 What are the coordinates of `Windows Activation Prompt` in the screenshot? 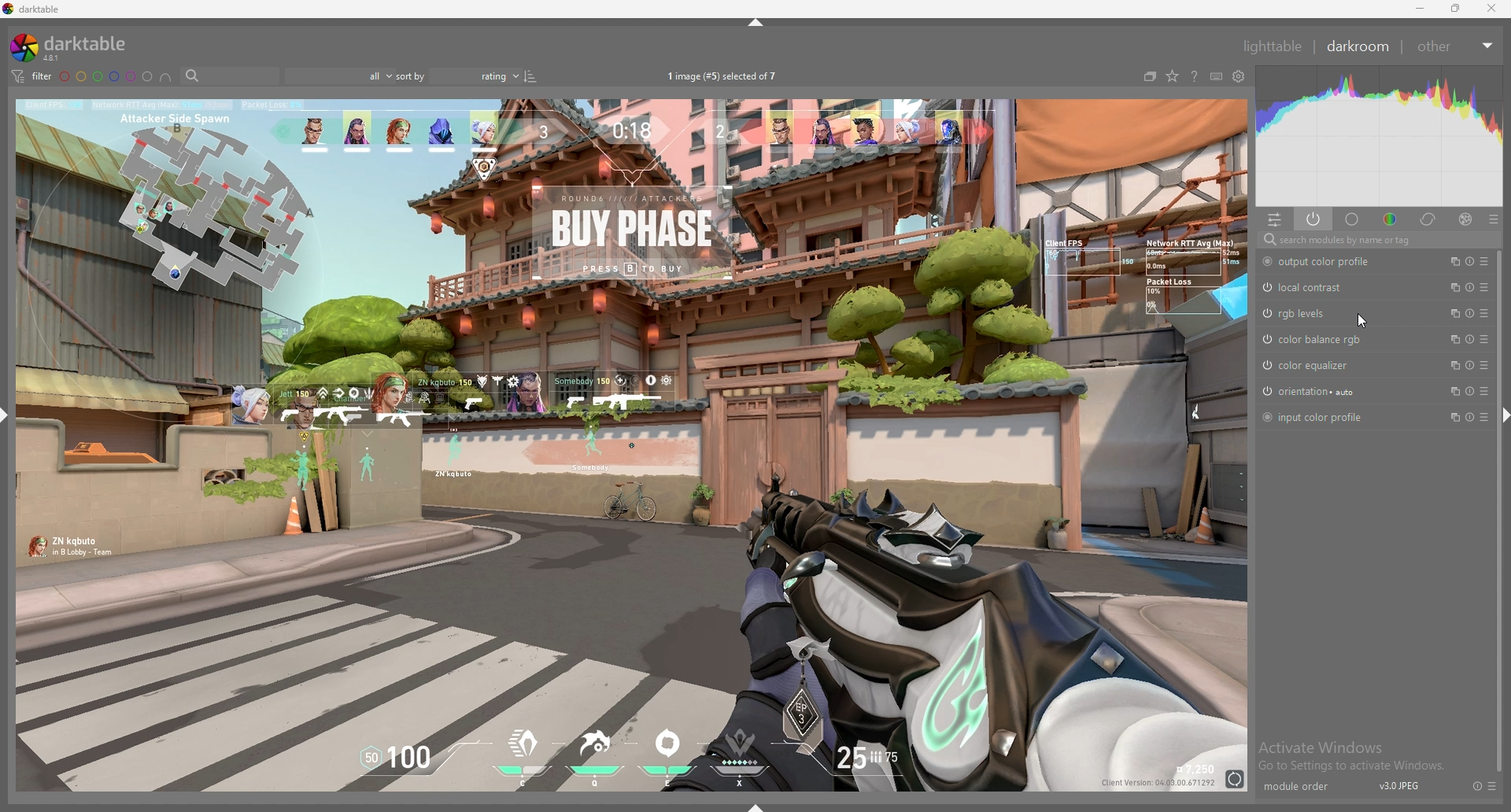 It's located at (1356, 755).